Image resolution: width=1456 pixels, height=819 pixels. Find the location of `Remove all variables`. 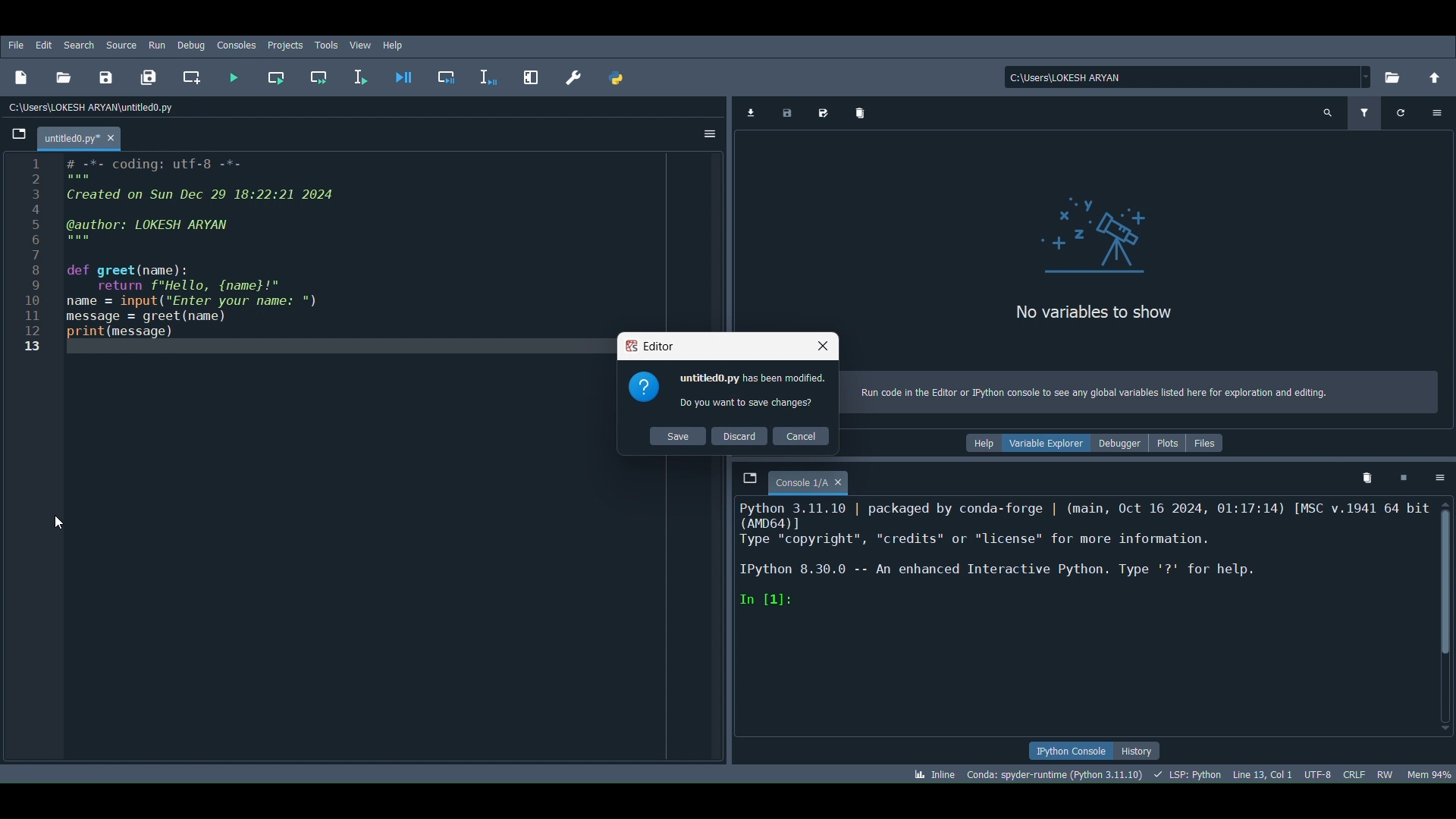

Remove all variables is located at coordinates (861, 111).